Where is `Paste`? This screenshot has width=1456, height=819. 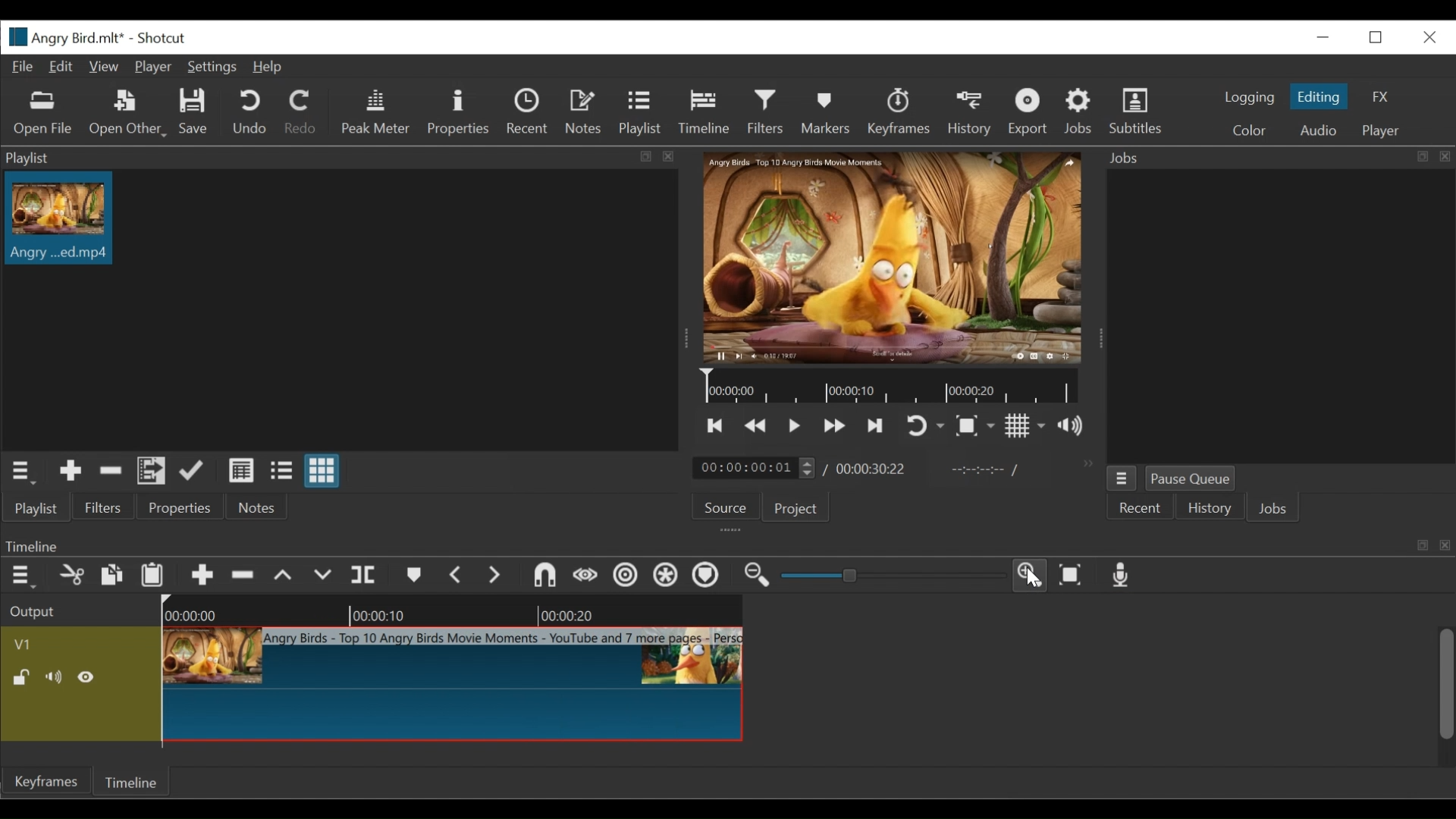 Paste is located at coordinates (152, 576).